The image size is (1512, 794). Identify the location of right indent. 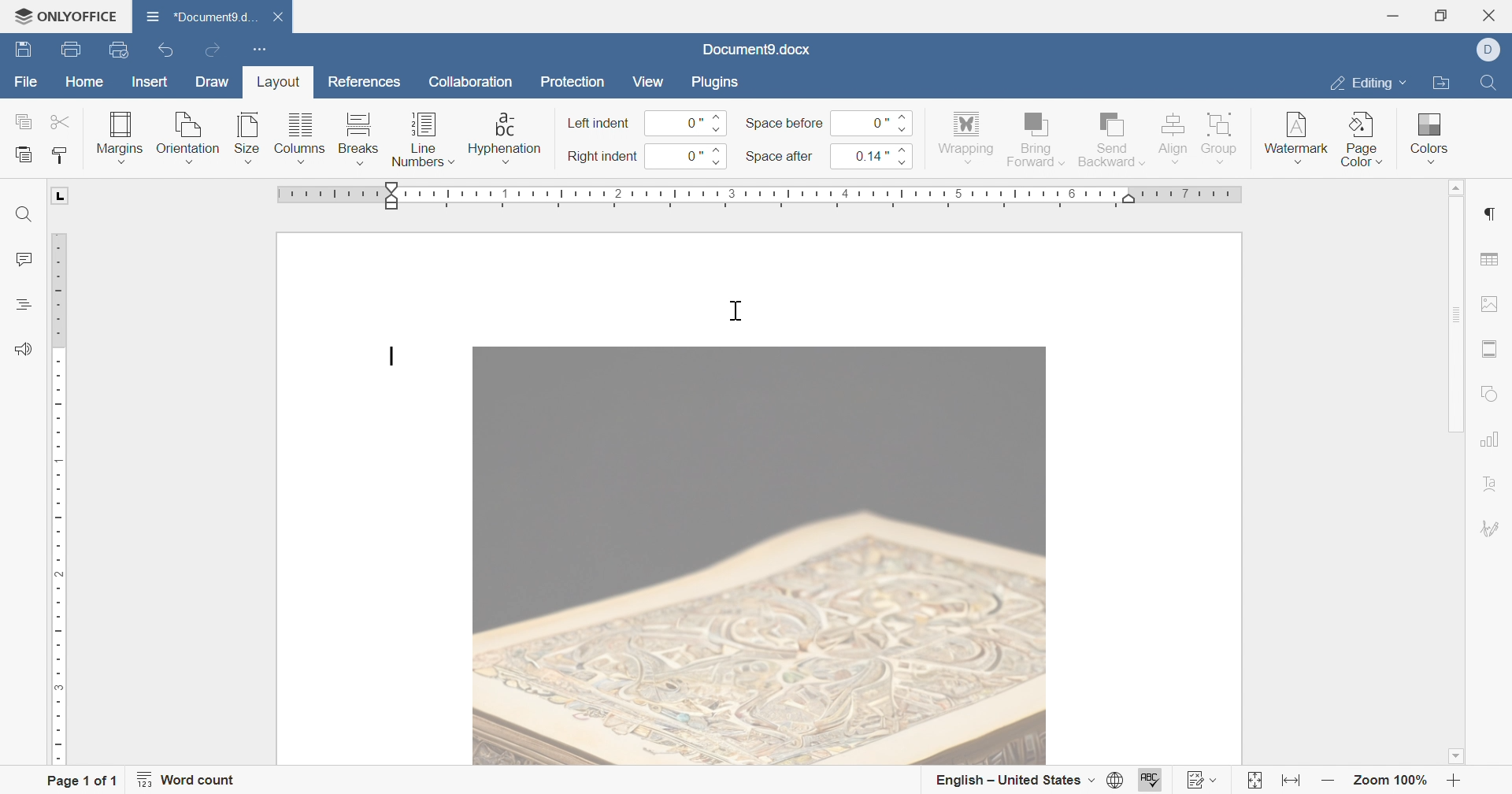
(602, 158).